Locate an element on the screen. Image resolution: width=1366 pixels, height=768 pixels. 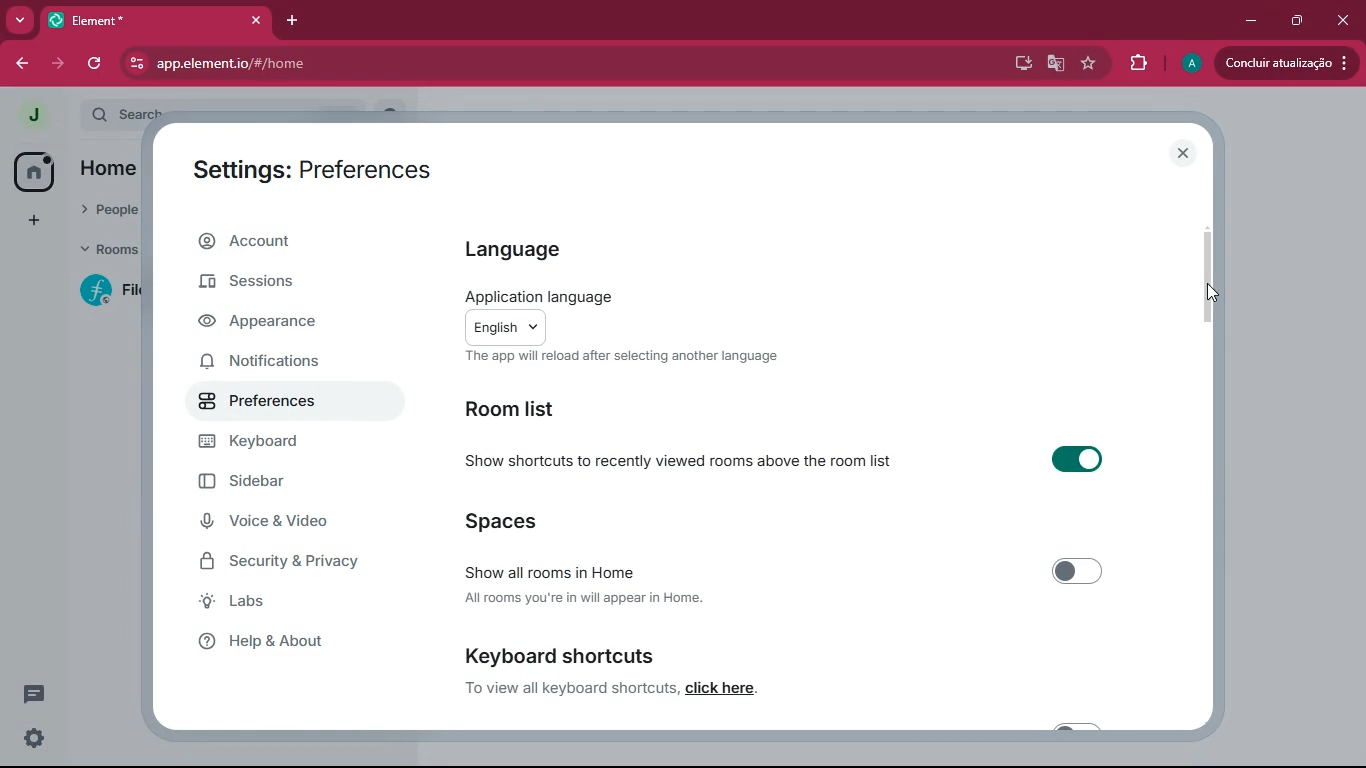
language is located at coordinates (526, 247).